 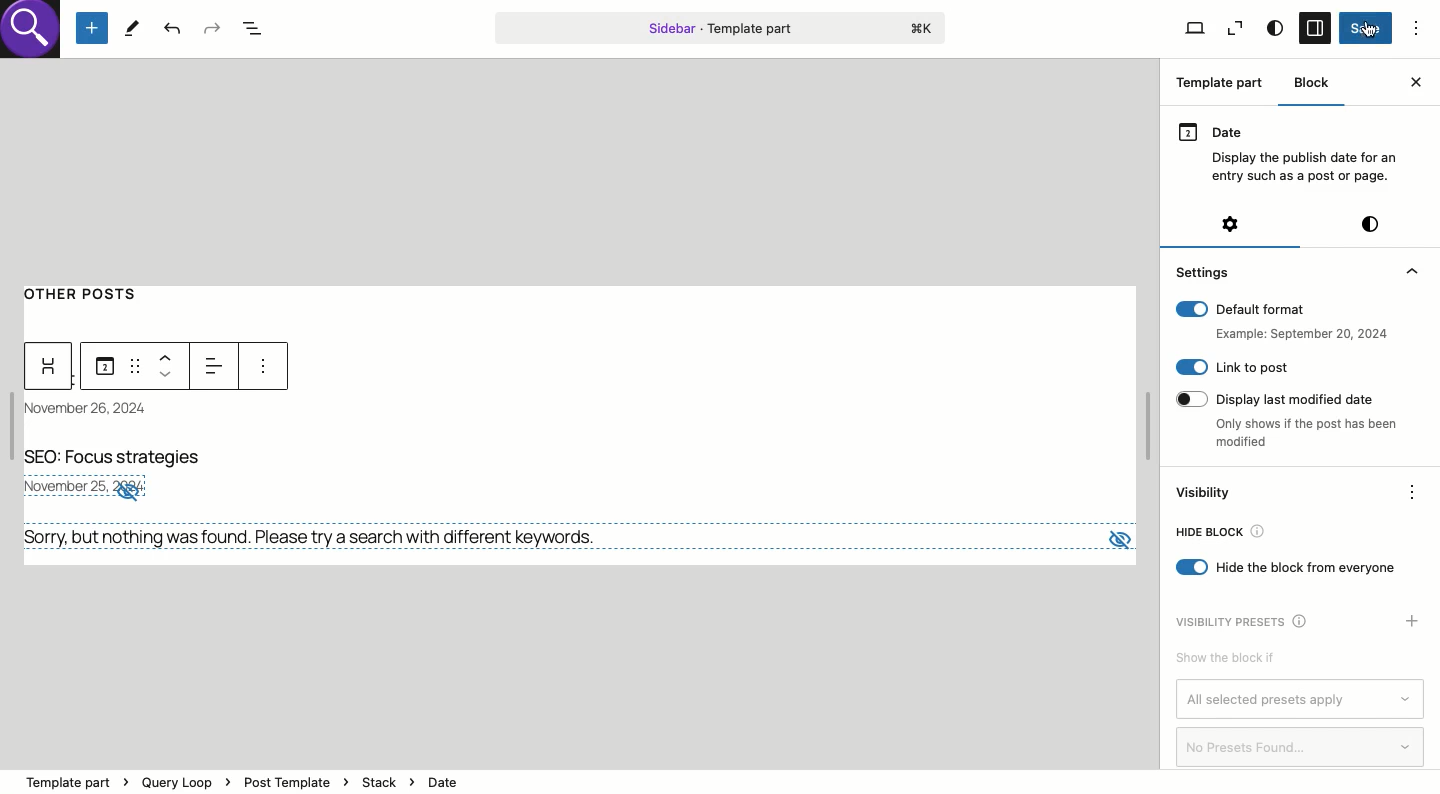 What do you see at coordinates (1297, 334) in the screenshot?
I see `example` at bounding box center [1297, 334].